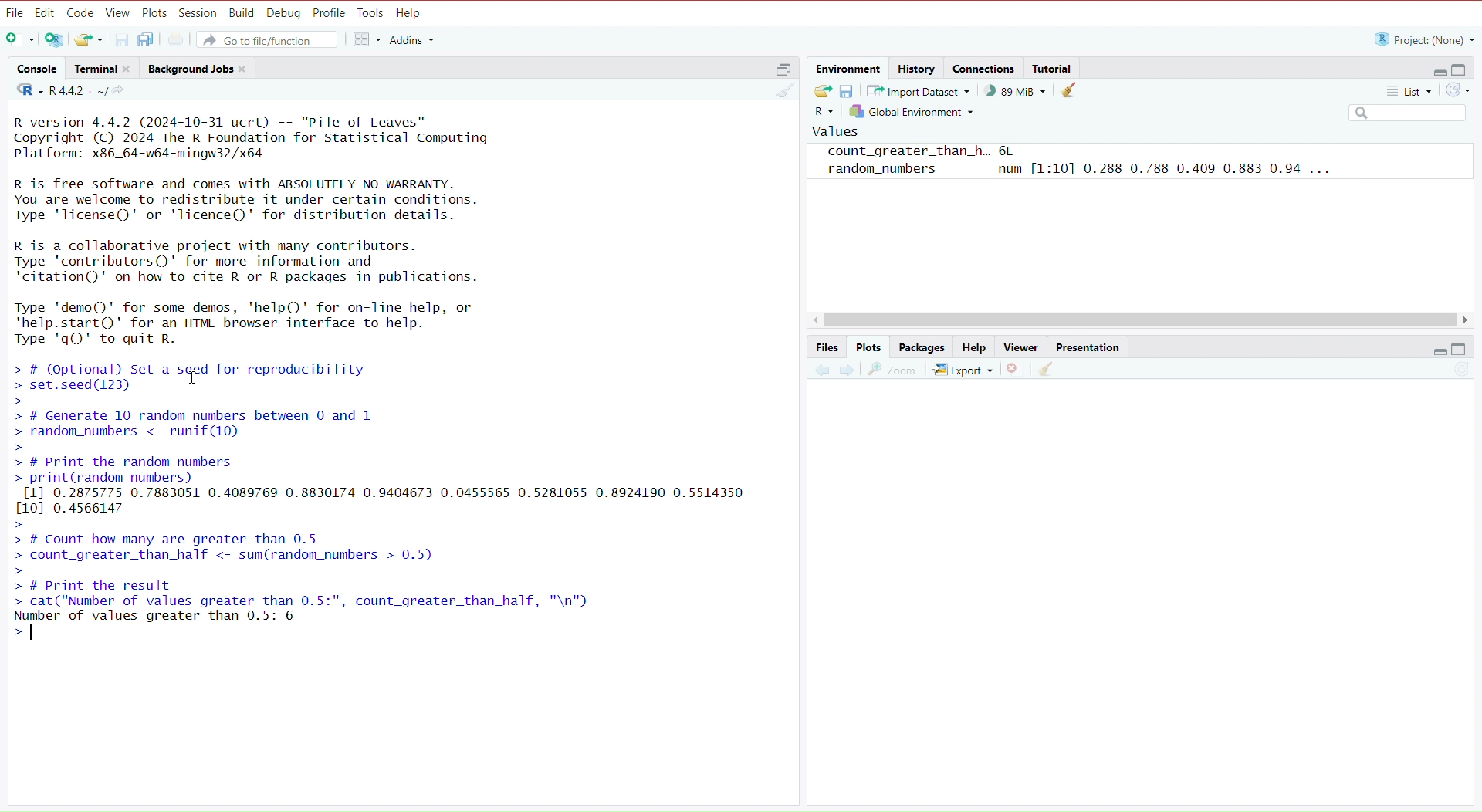 This screenshot has height=812, width=1482. Describe the element at coordinates (974, 347) in the screenshot. I see `Help` at that location.